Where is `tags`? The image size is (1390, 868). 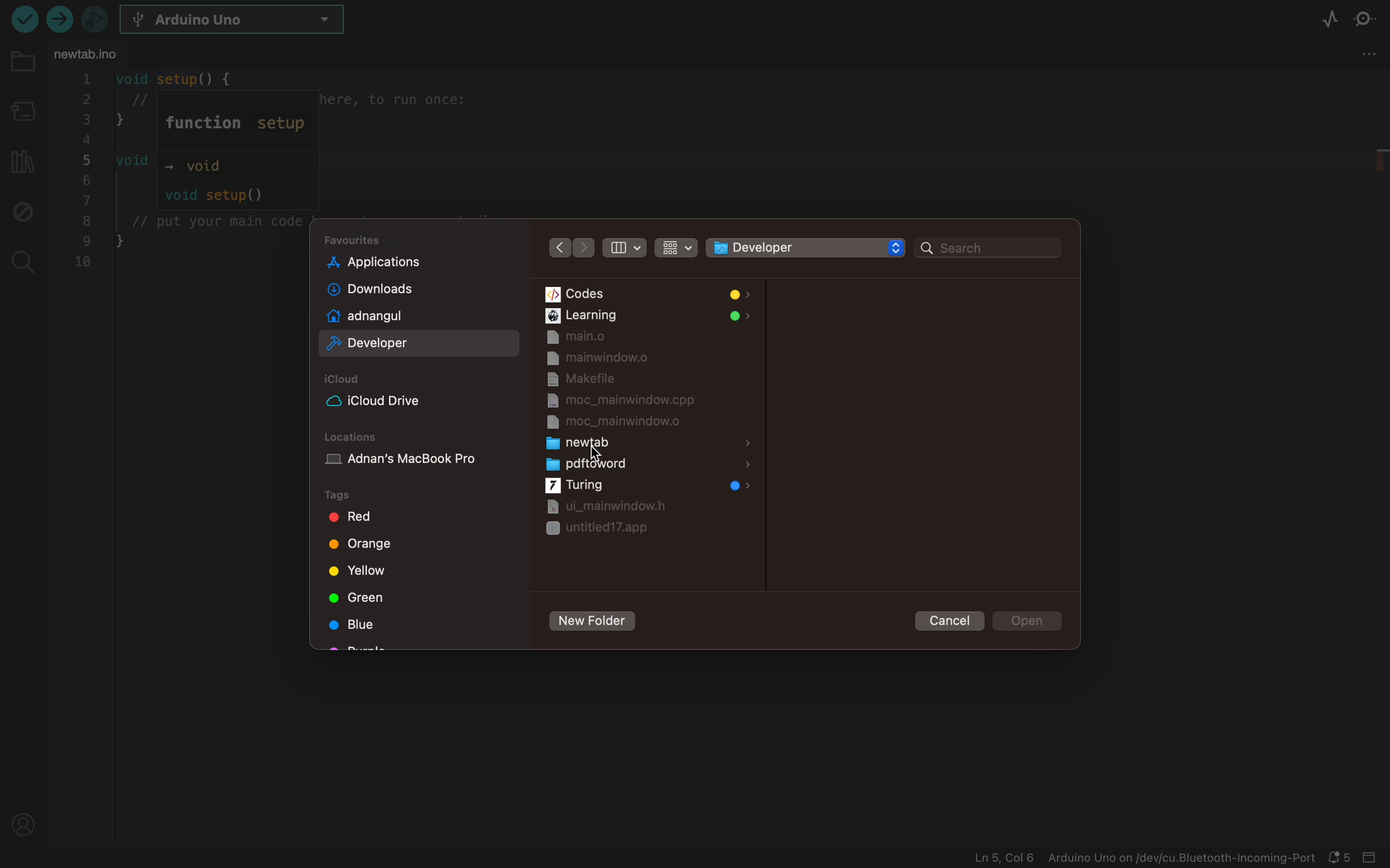 tags is located at coordinates (364, 547).